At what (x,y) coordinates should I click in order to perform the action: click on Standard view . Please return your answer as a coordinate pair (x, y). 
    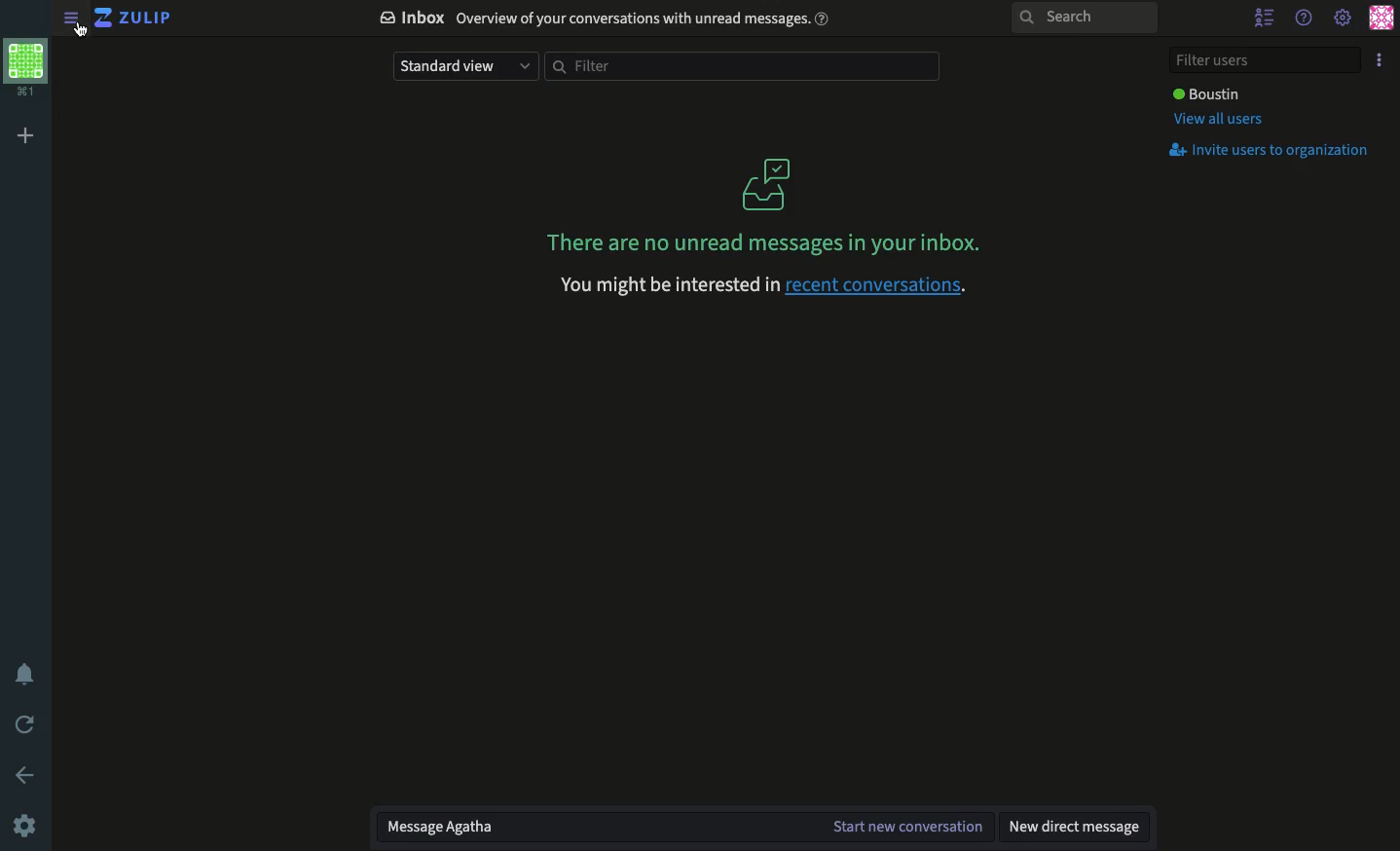
    Looking at the image, I should click on (464, 66).